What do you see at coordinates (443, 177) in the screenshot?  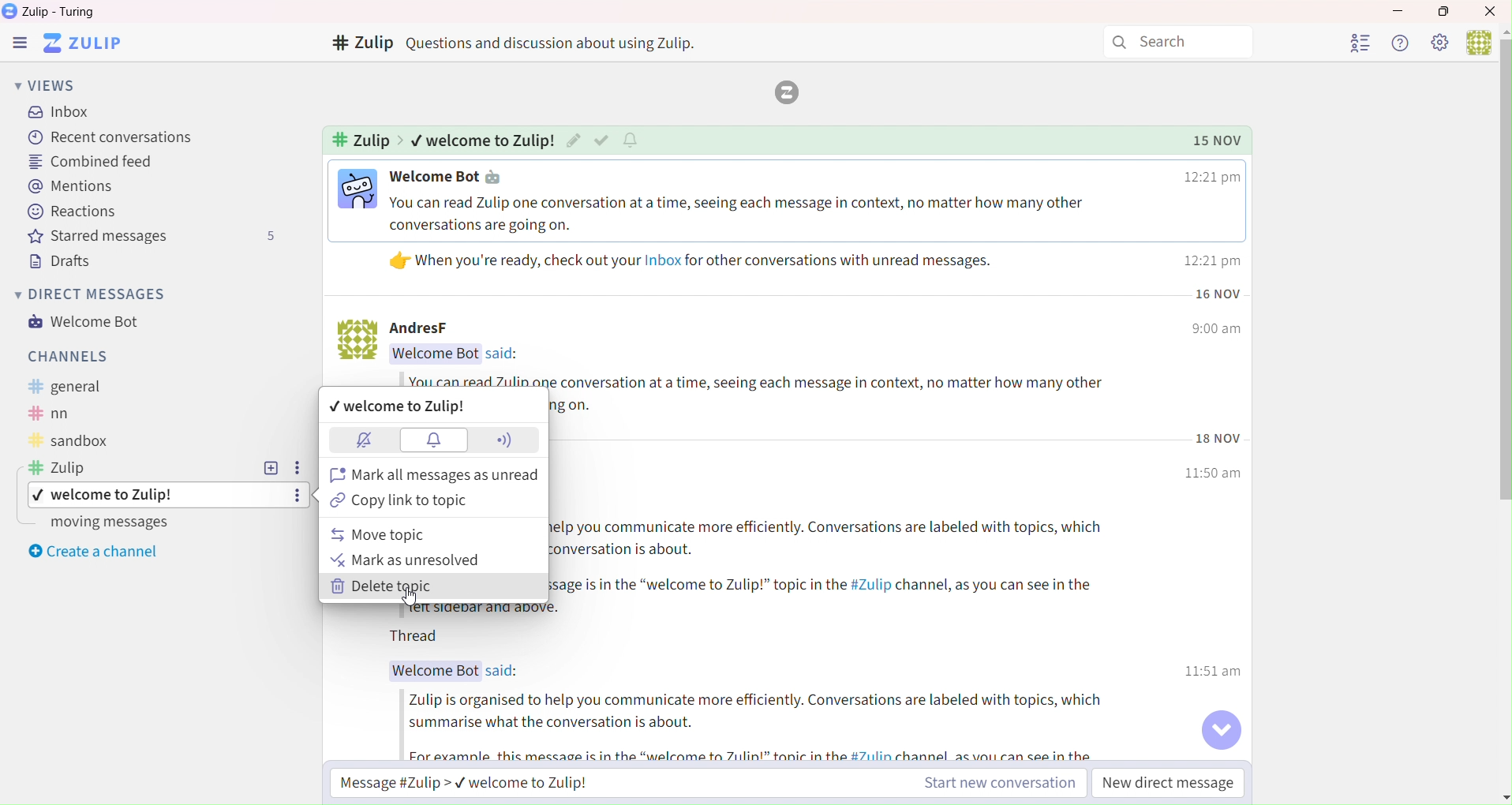 I see `Text` at bounding box center [443, 177].